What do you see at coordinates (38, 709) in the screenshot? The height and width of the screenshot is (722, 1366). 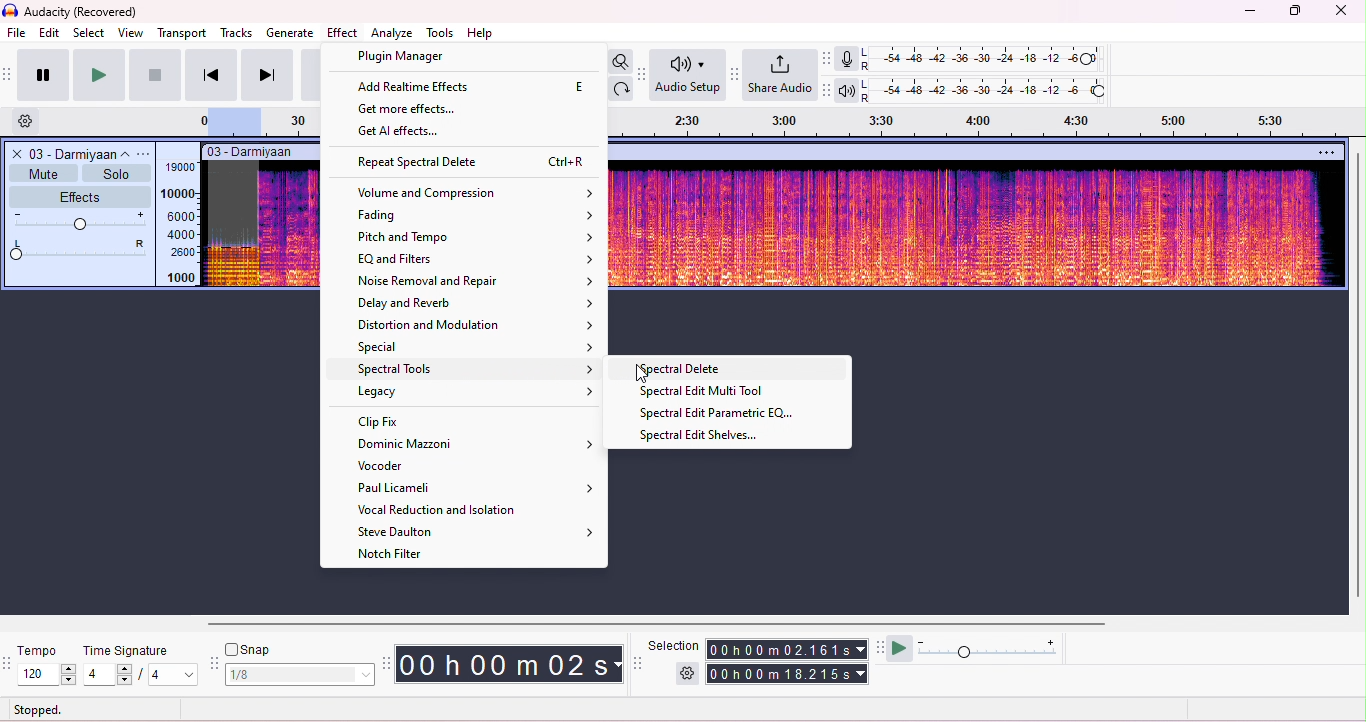 I see `stopped` at bounding box center [38, 709].